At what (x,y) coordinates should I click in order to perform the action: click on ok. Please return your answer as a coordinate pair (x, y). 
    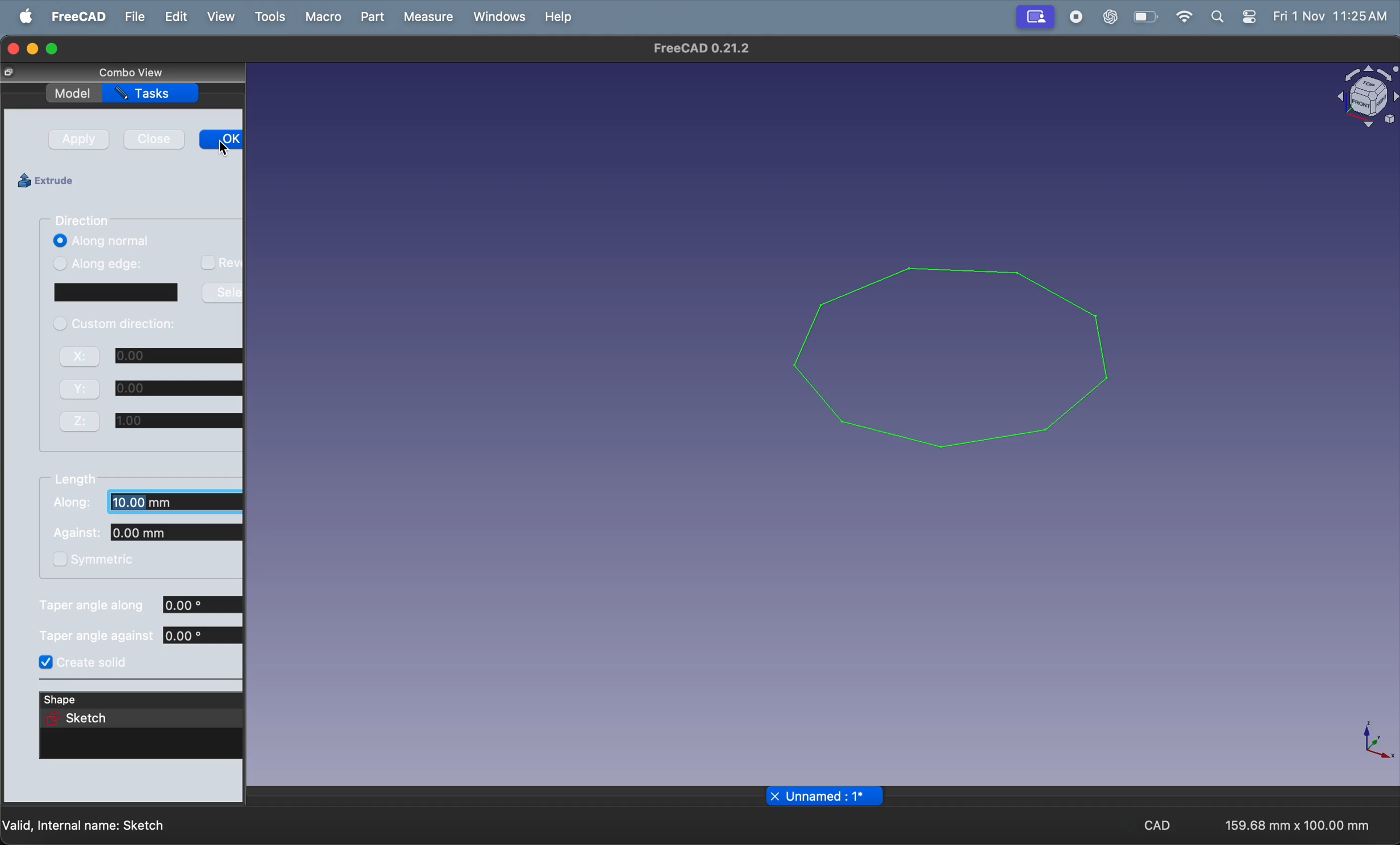
    Looking at the image, I should click on (227, 141).